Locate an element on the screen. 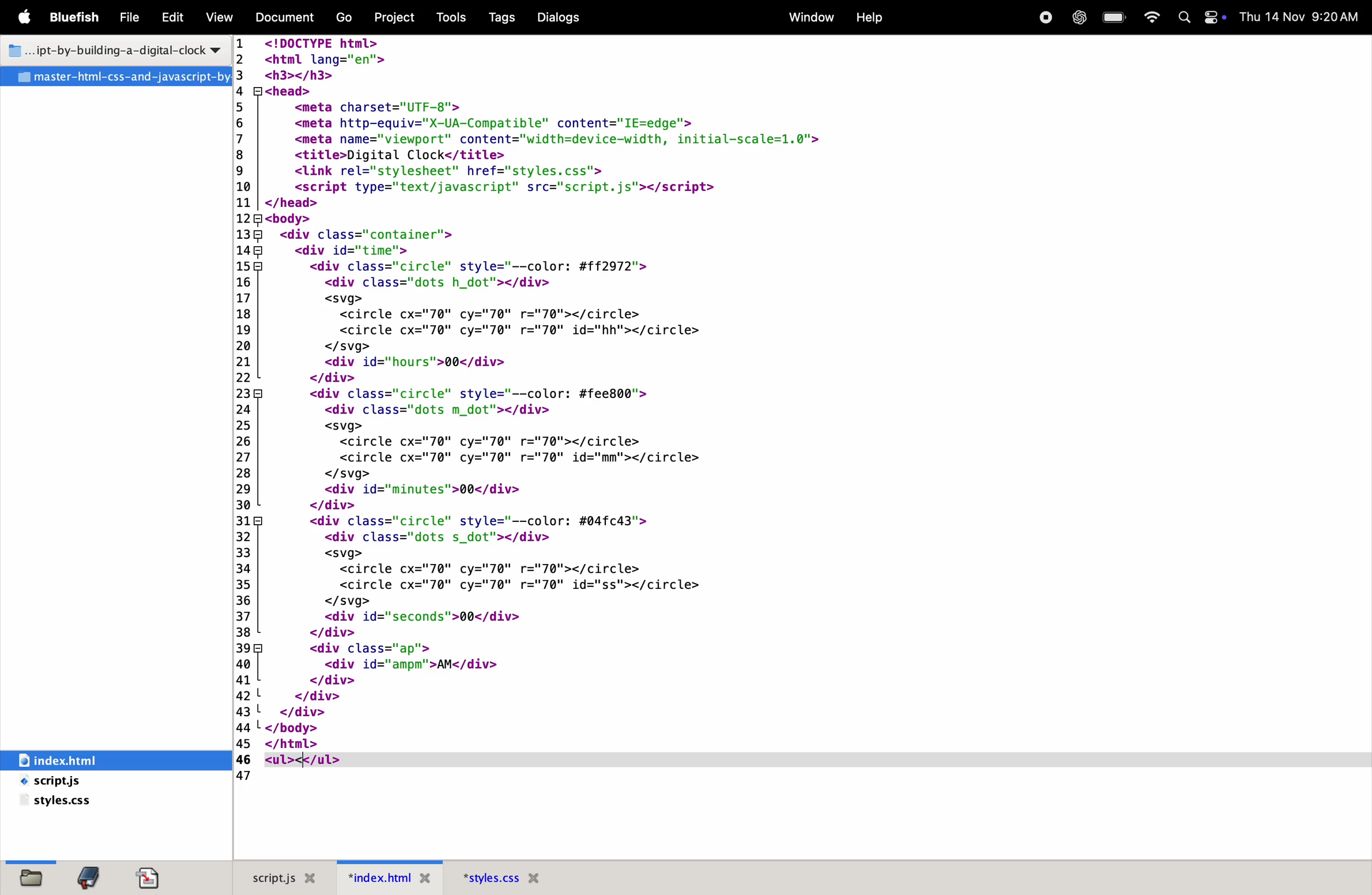  record is located at coordinates (1044, 17).